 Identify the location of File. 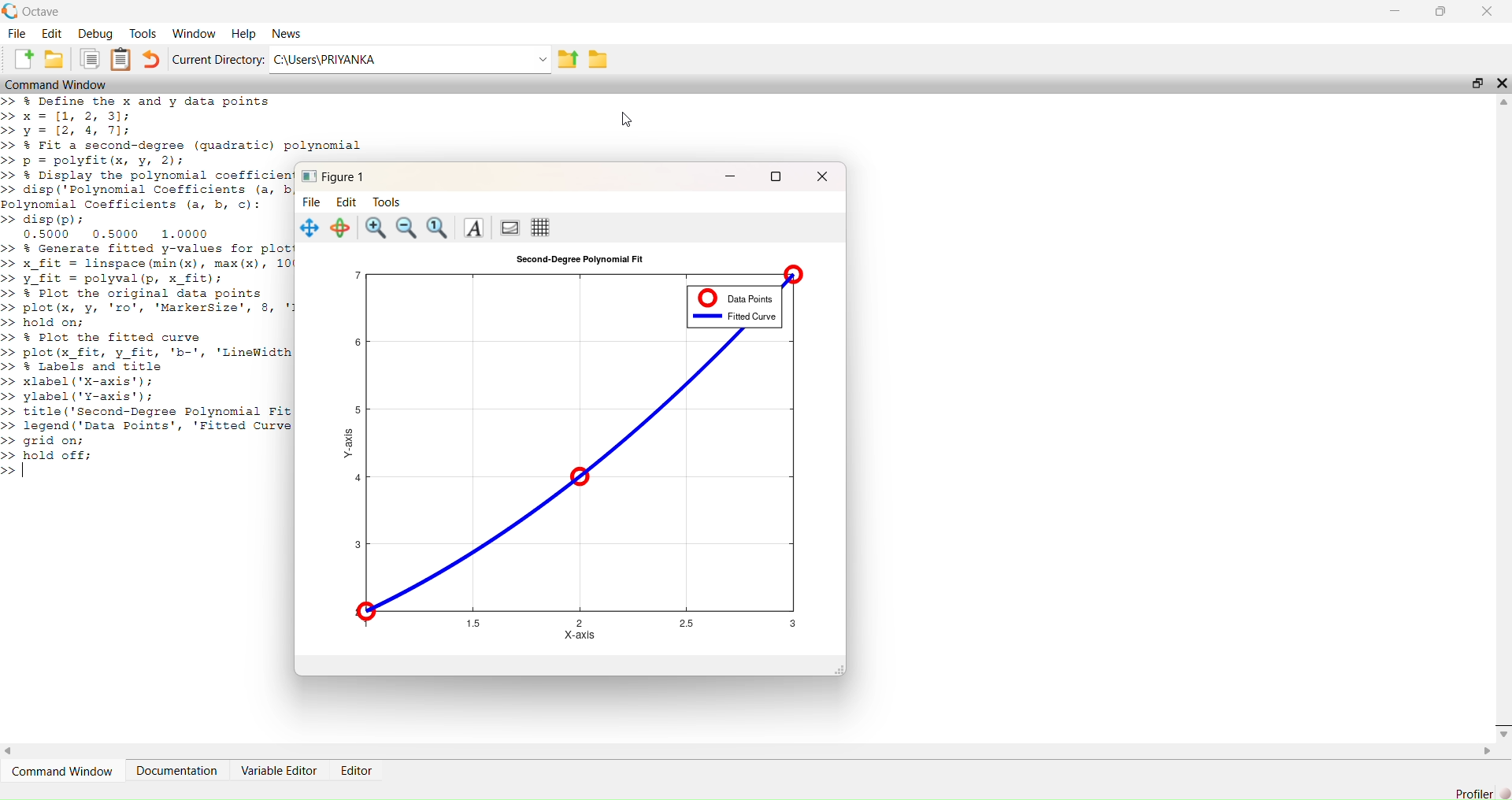
(17, 35).